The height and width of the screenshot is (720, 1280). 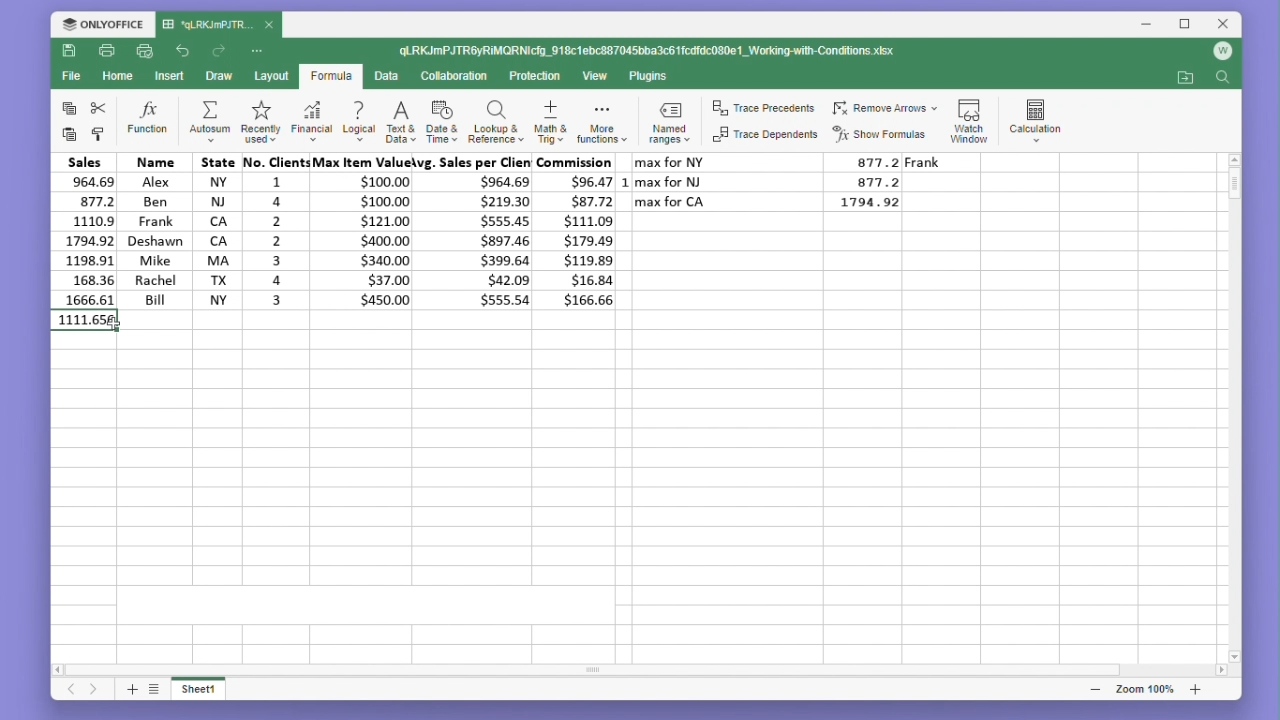 What do you see at coordinates (78, 318) in the screenshot?
I see `average` at bounding box center [78, 318].